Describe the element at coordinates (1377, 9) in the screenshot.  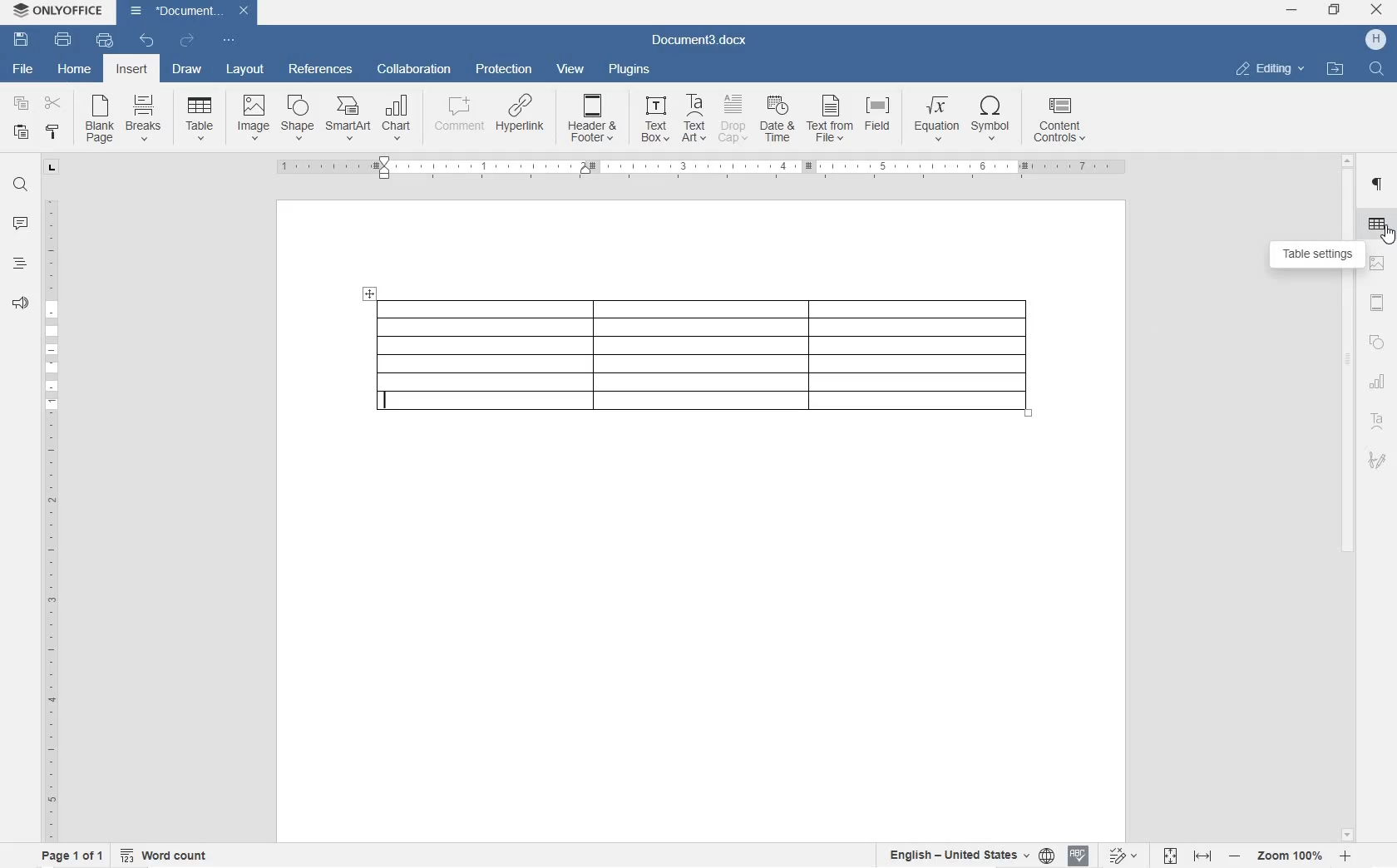
I see `CLOSE` at that location.